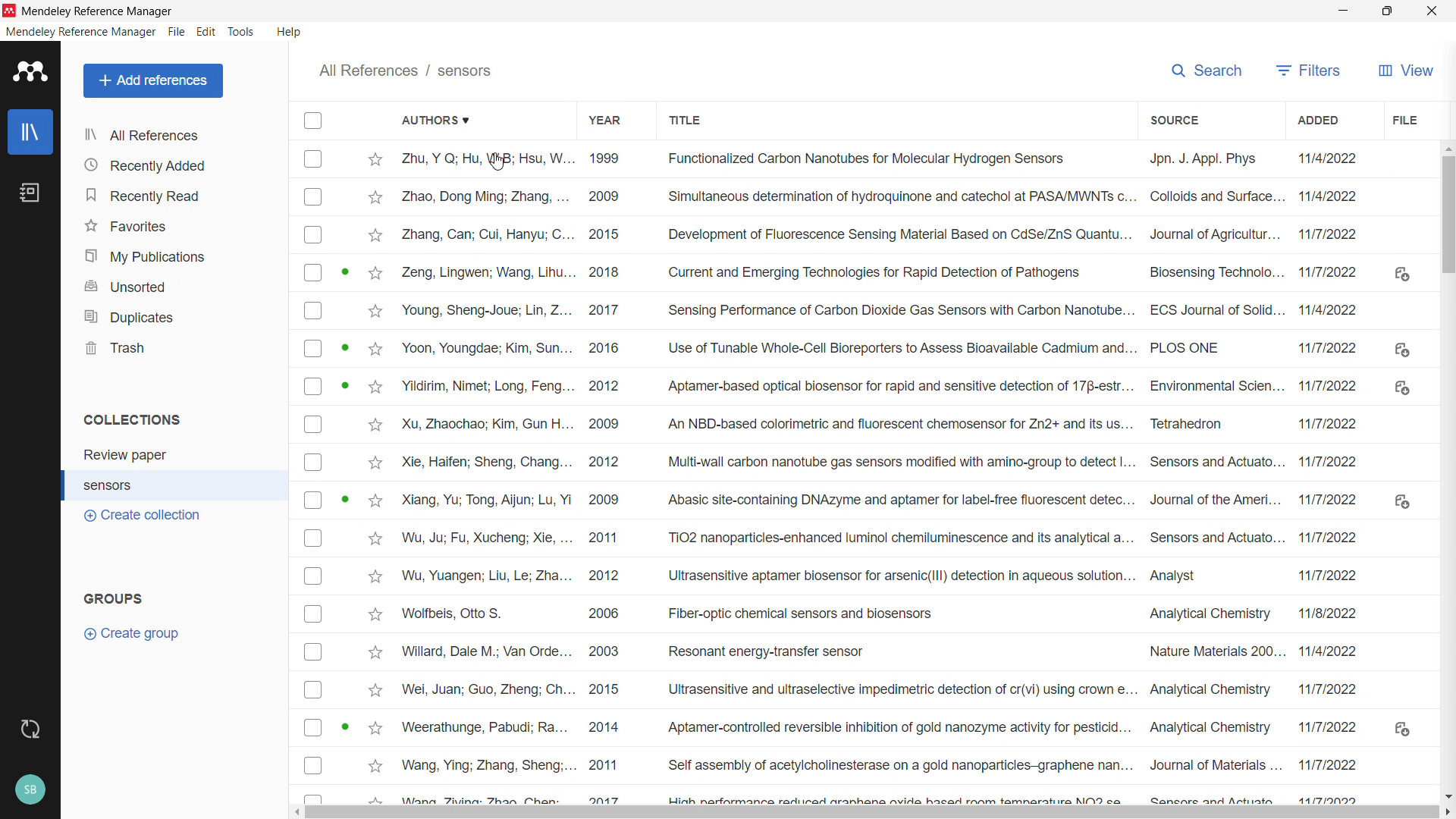 The height and width of the screenshot is (819, 1456). What do you see at coordinates (1447, 795) in the screenshot?
I see `Scroll down ` at bounding box center [1447, 795].